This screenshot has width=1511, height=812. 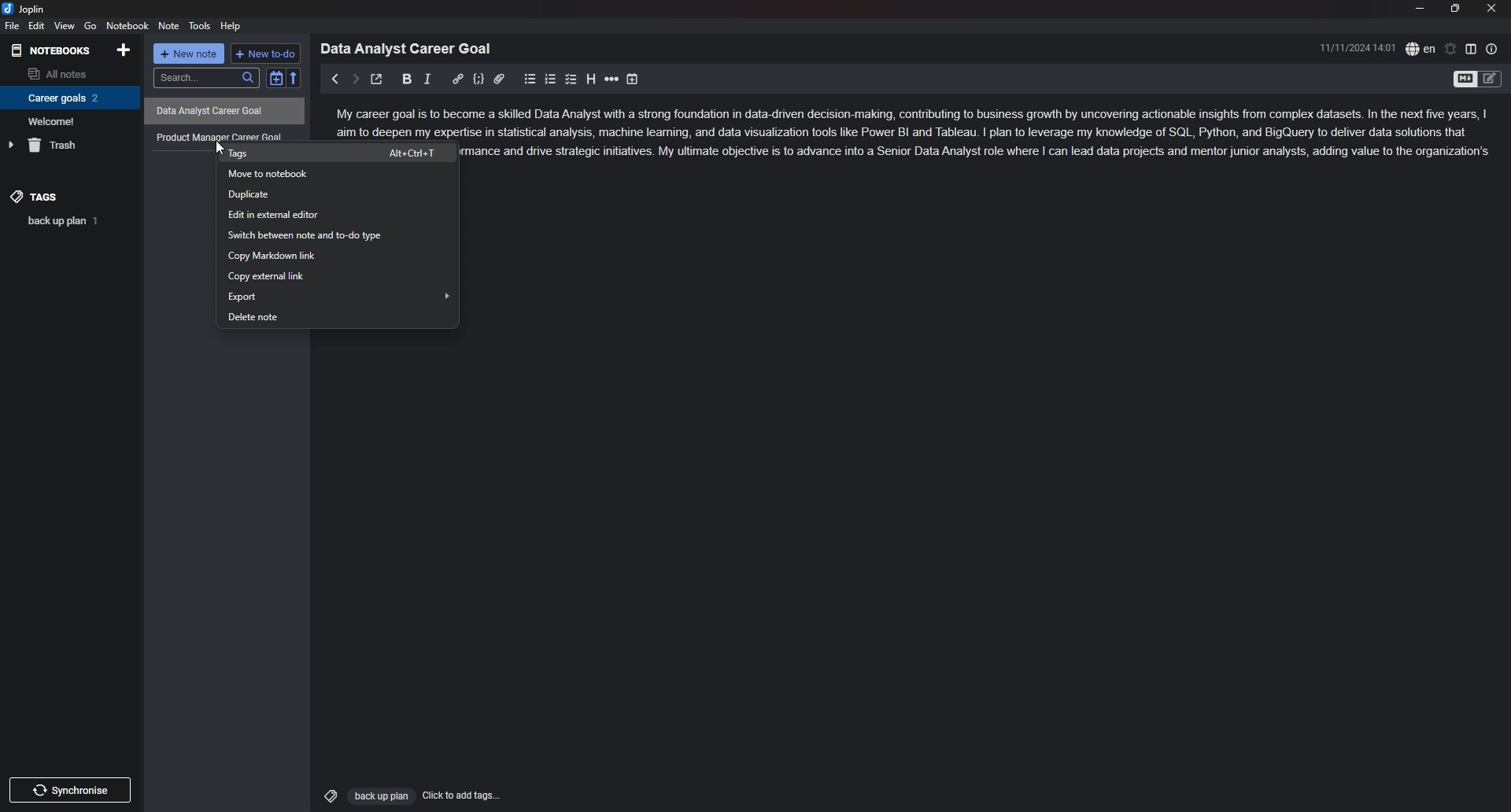 What do you see at coordinates (231, 27) in the screenshot?
I see `help` at bounding box center [231, 27].